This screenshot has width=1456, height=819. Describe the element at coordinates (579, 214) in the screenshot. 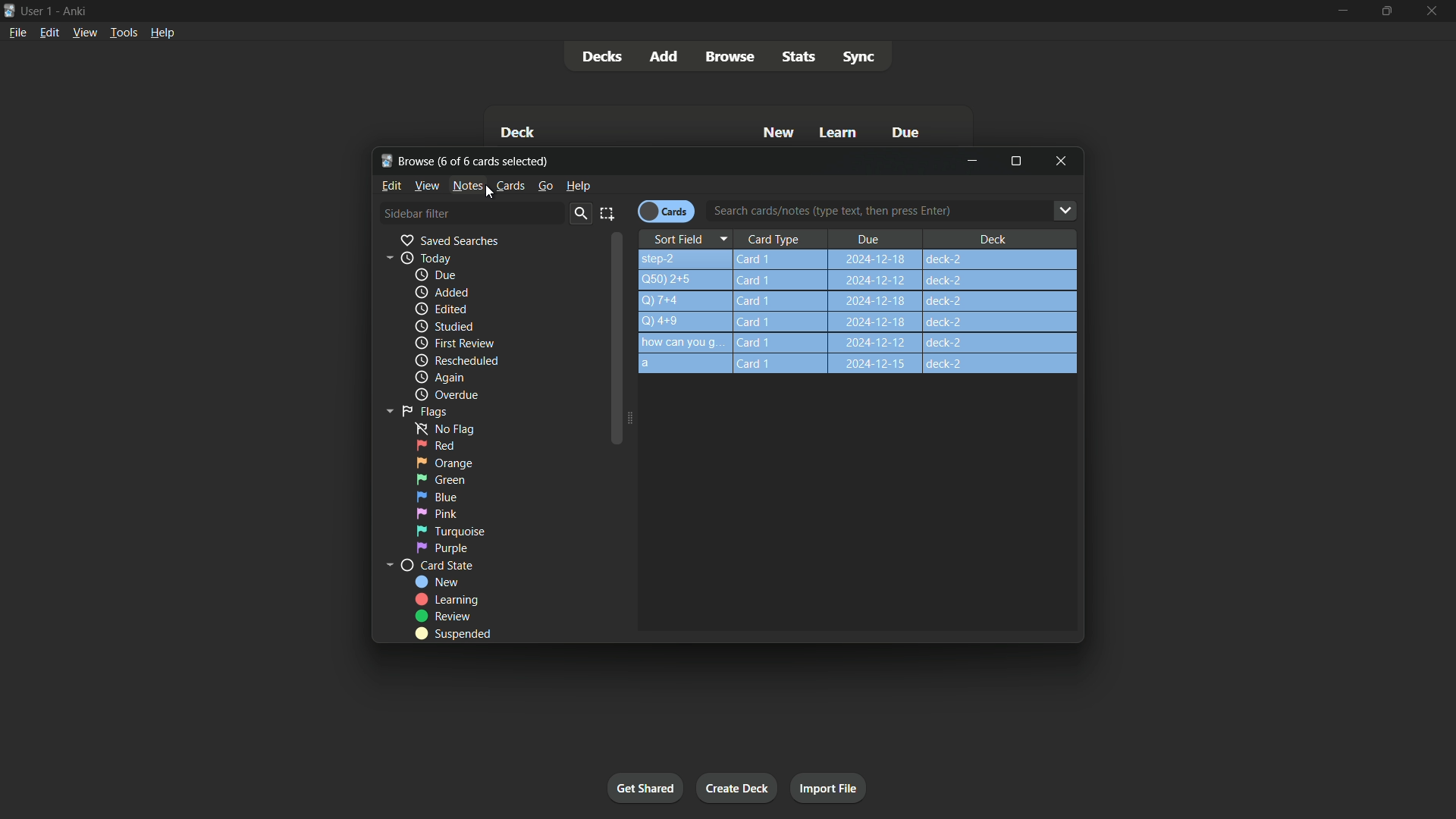

I see `Search` at that location.